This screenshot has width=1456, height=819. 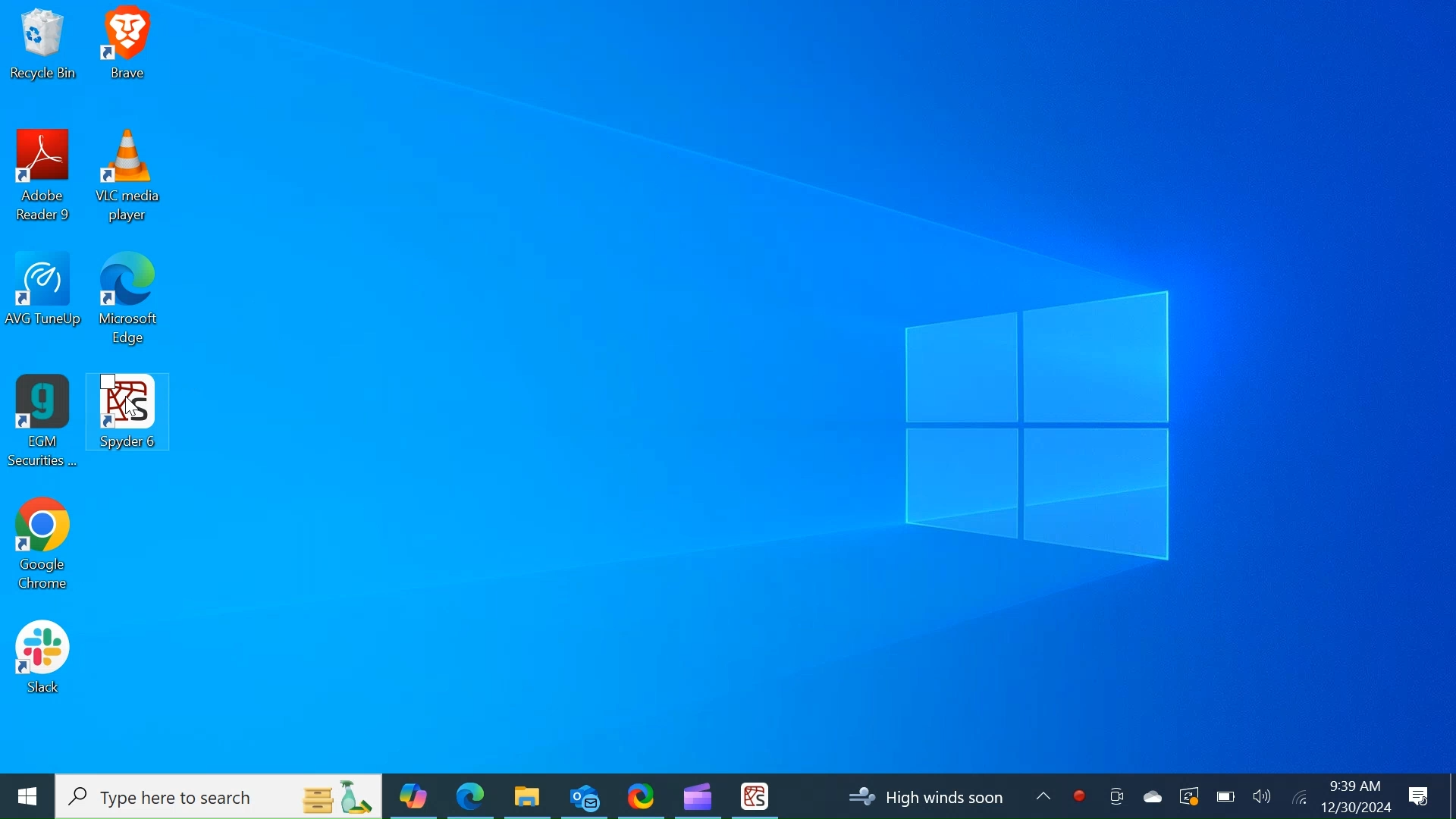 What do you see at coordinates (130, 409) in the screenshot?
I see `Cursor ` at bounding box center [130, 409].